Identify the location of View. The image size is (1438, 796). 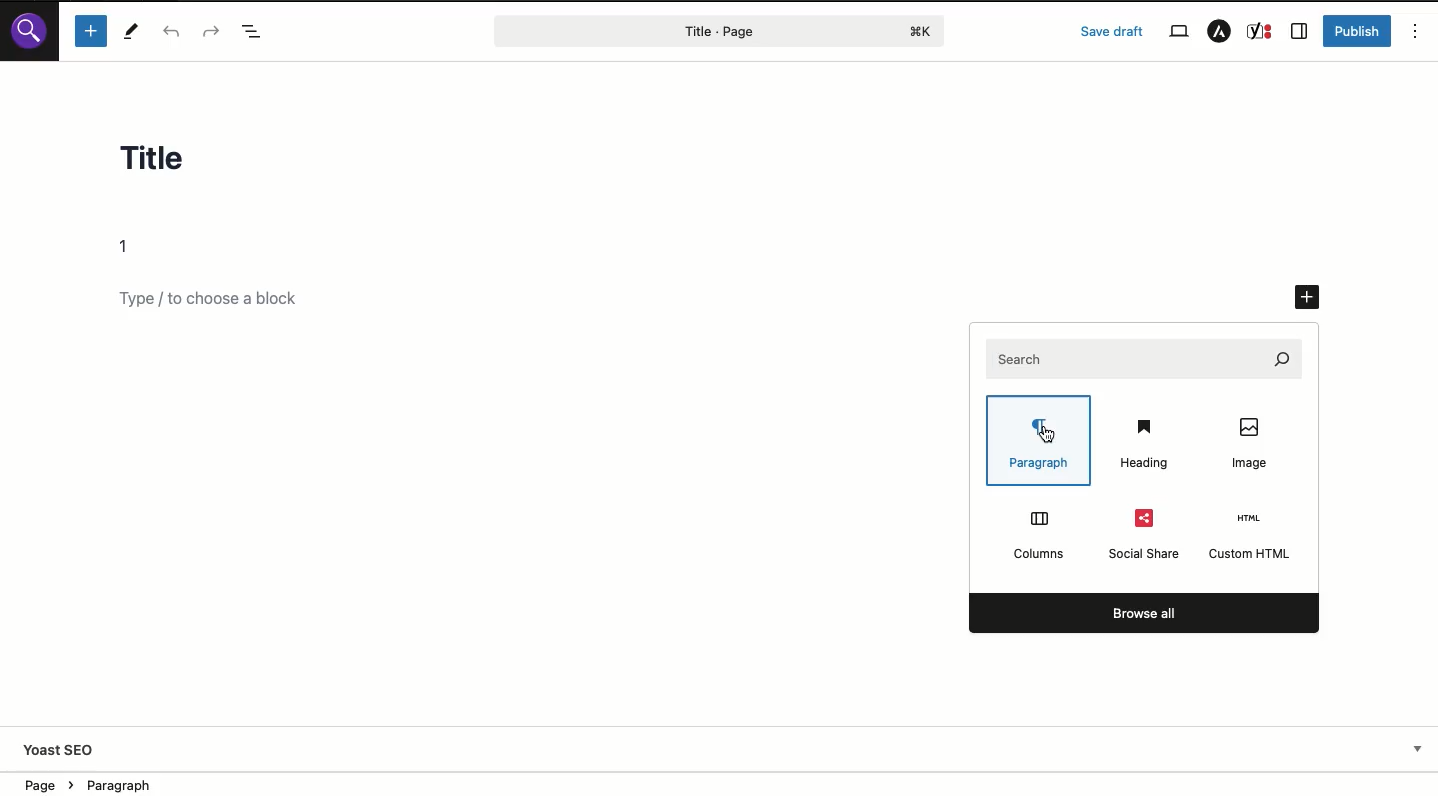
(1178, 32).